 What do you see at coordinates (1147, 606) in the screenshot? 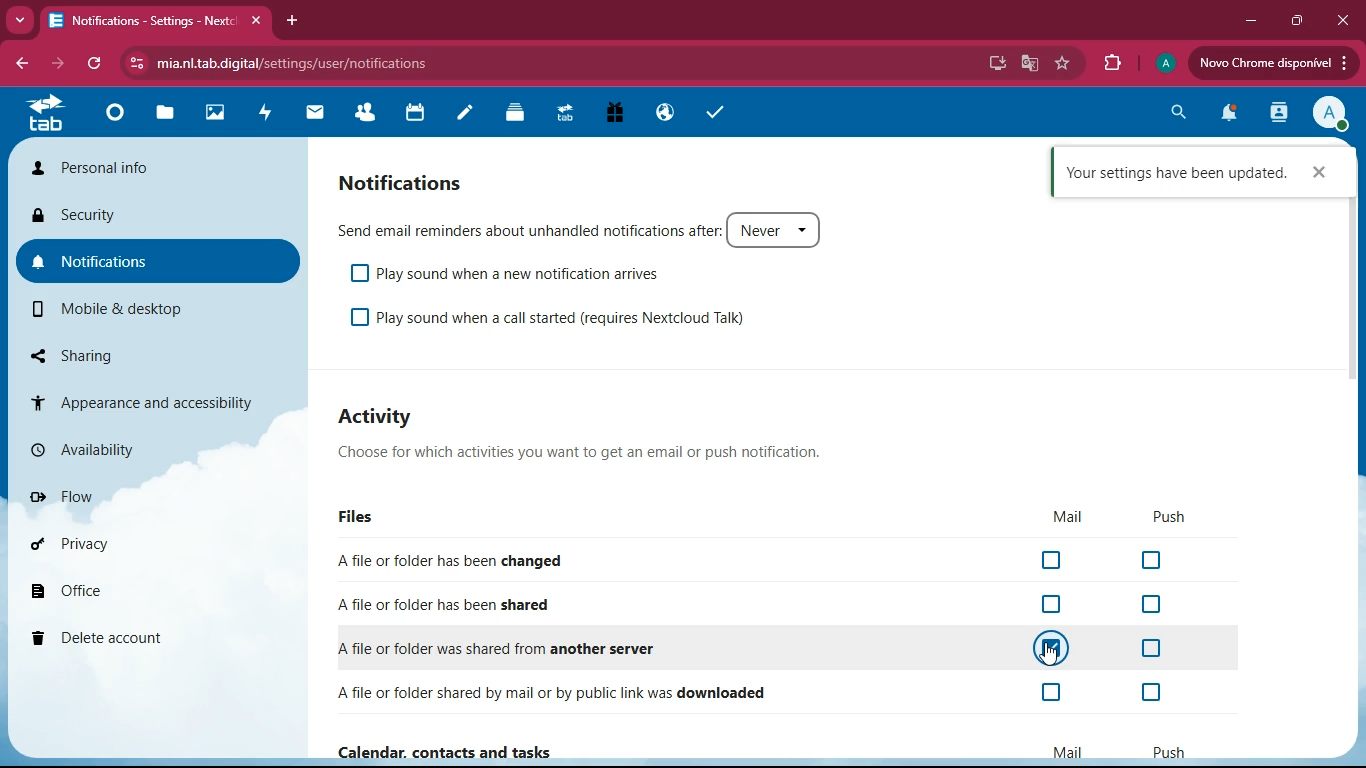
I see `off` at bounding box center [1147, 606].